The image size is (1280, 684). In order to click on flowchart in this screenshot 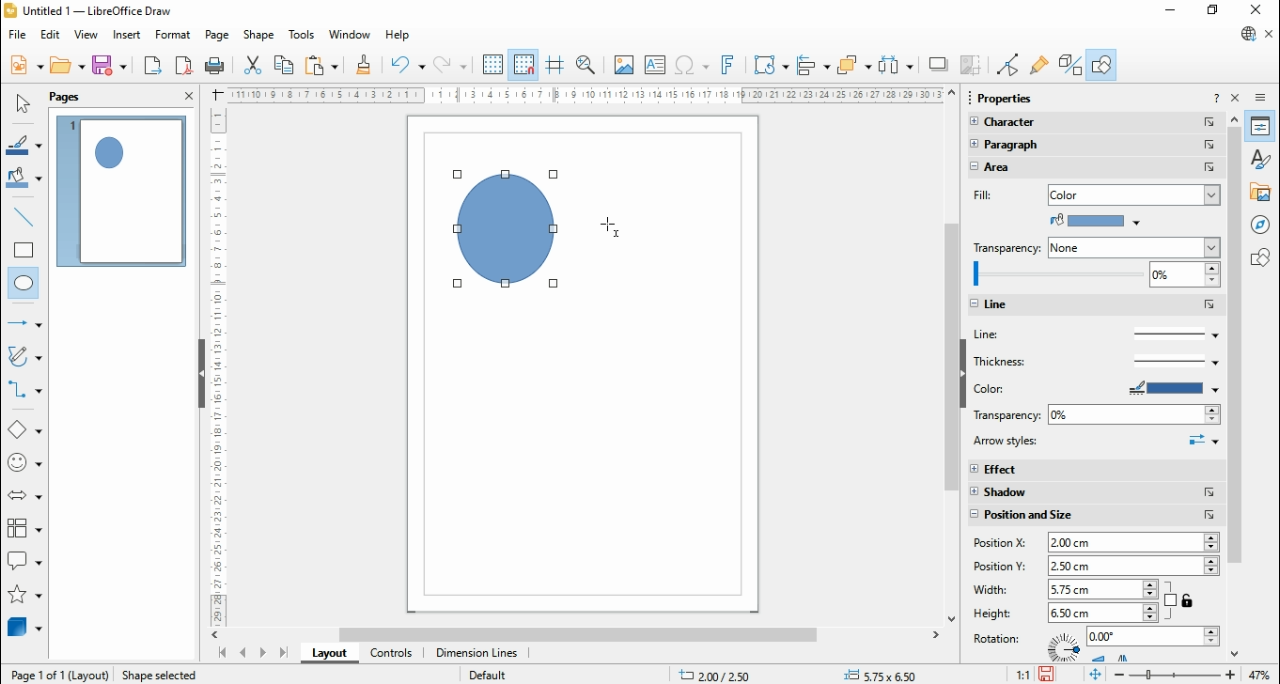, I will do `click(25, 532)`.